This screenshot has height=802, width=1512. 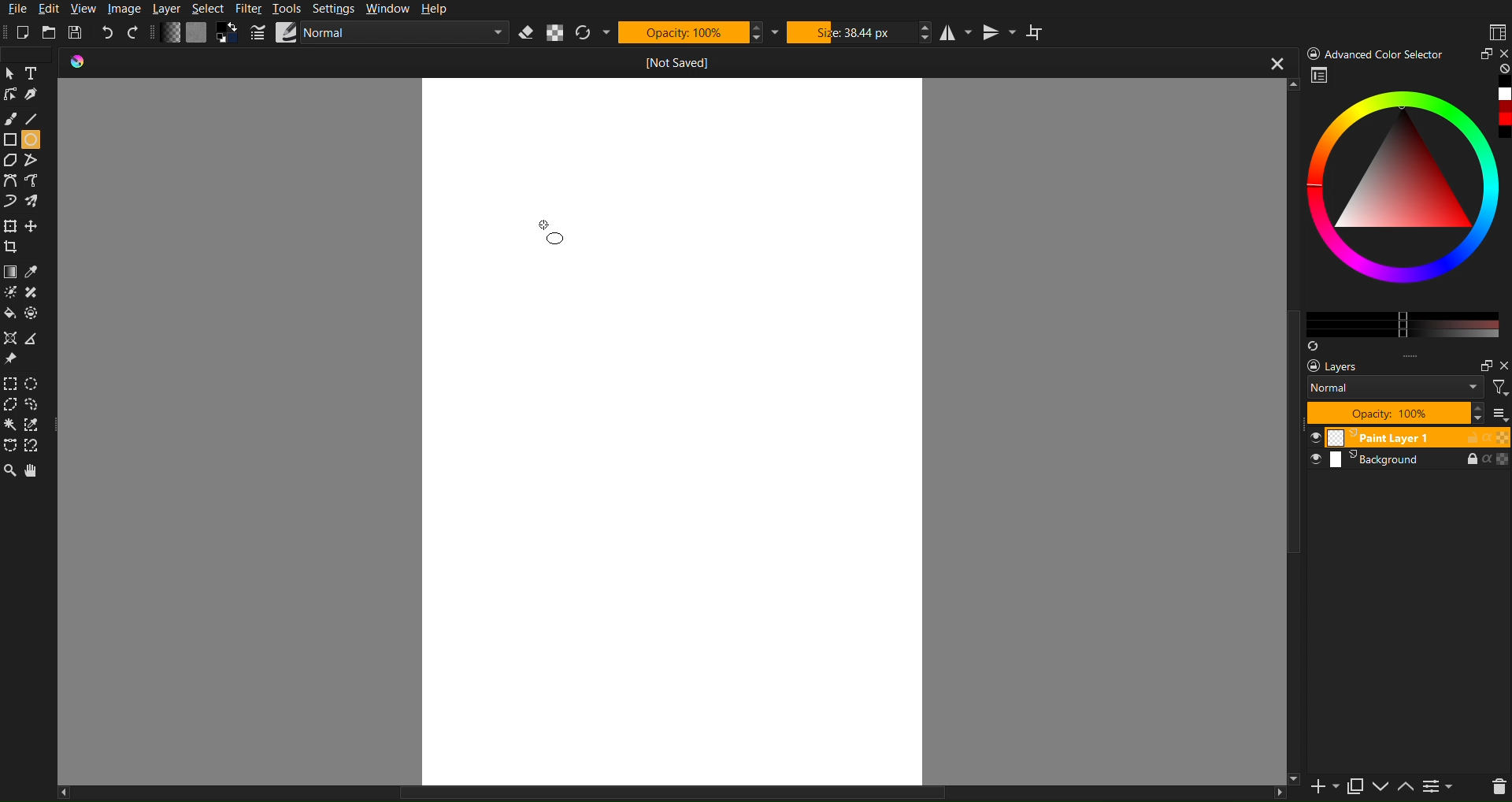 I want to click on Settings, so click(x=335, y=9).